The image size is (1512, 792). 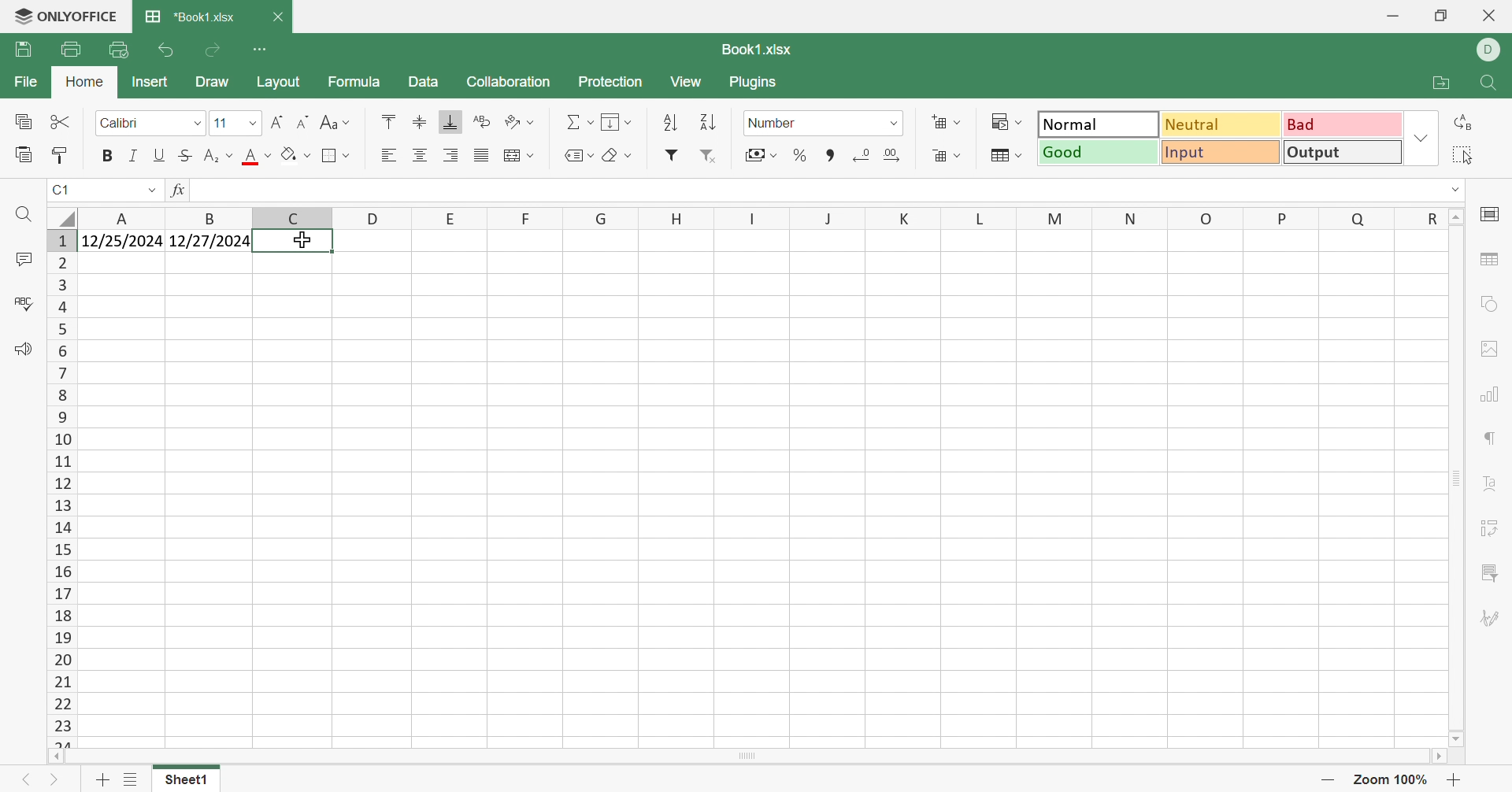 I want to click on Scroll Left, so click(x=55, y=758).